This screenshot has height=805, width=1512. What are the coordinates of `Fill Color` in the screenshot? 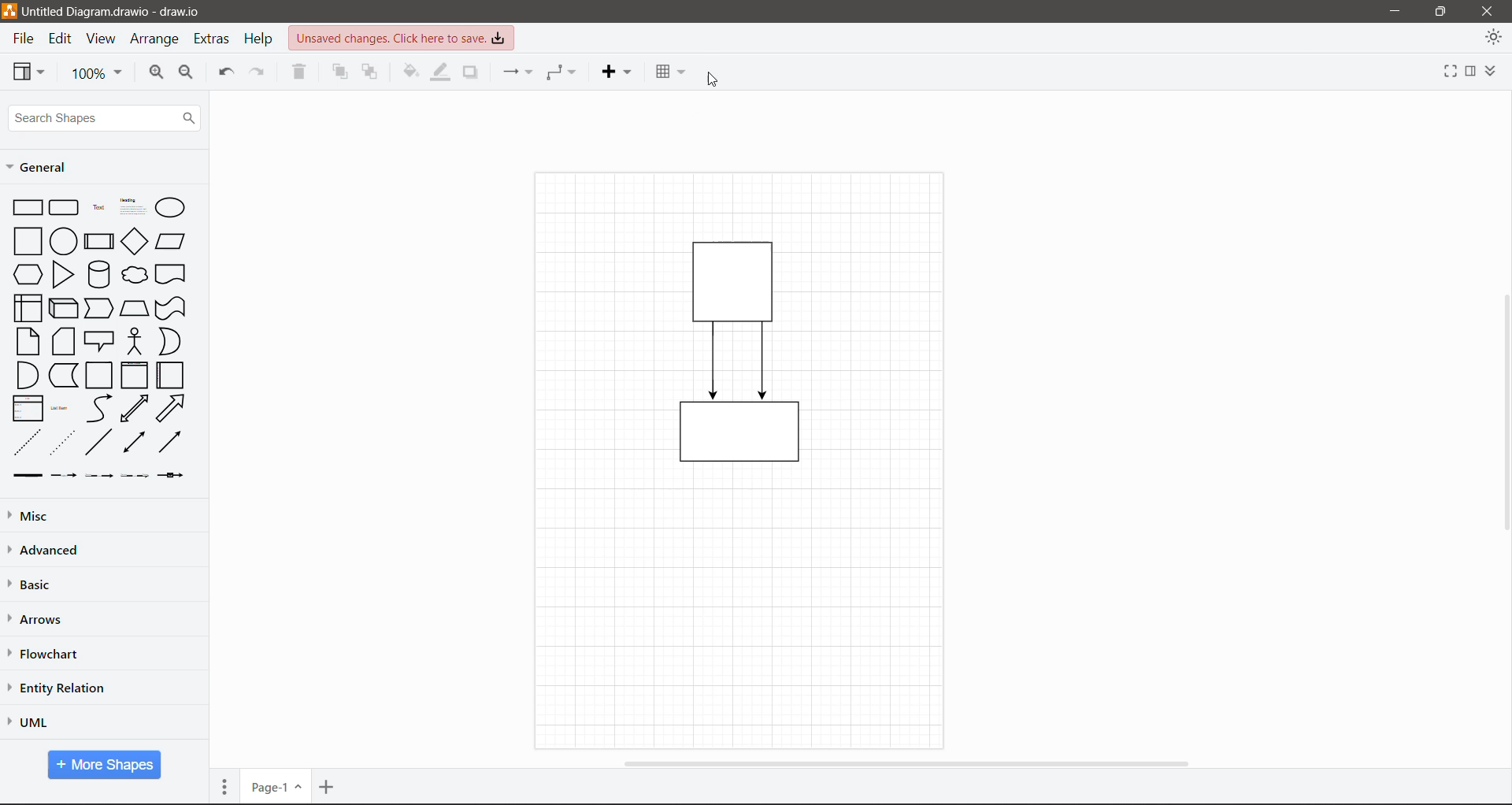 It's located at (408, 69).